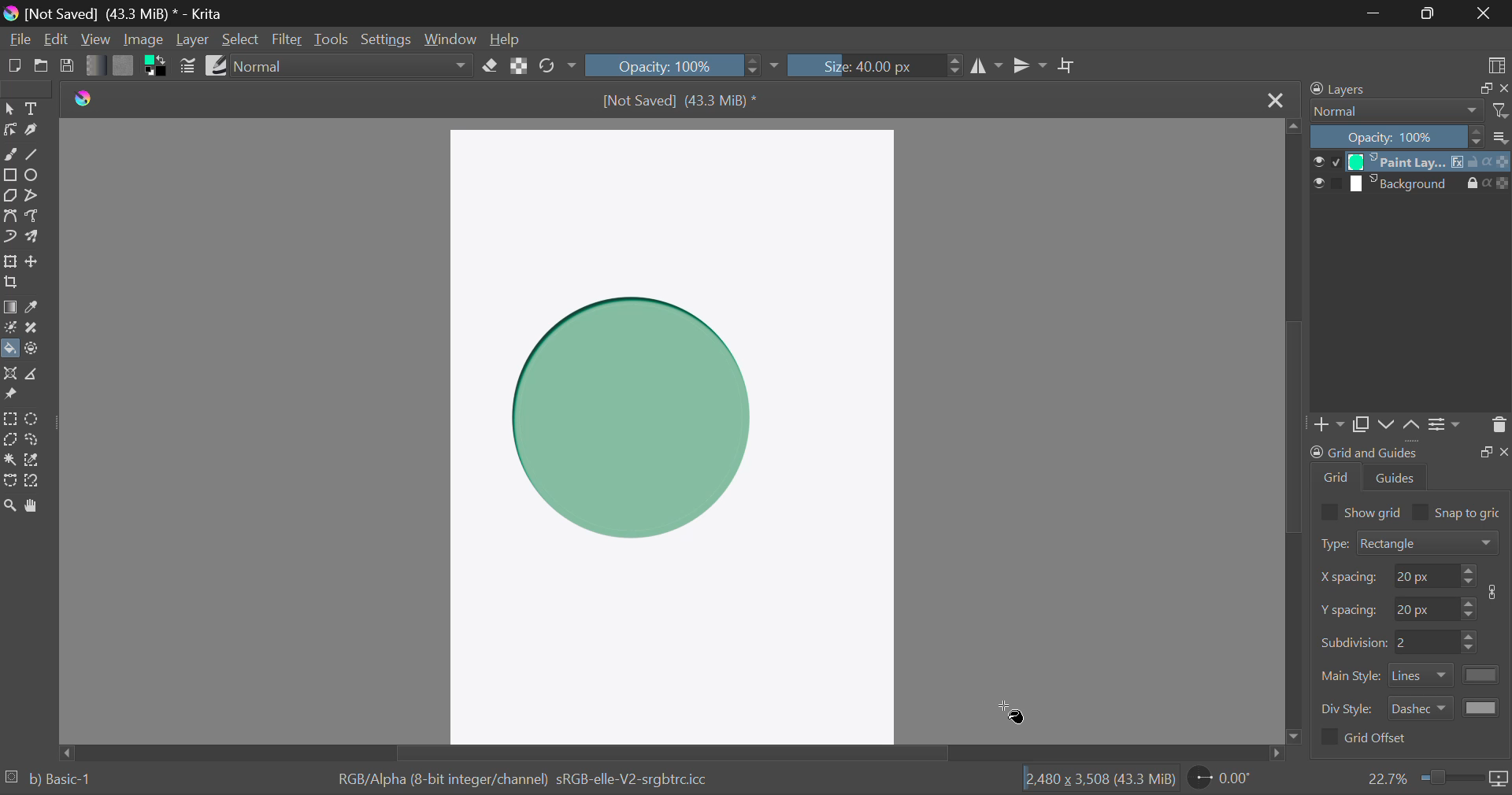 Image resolution: width=1512 pixels, height=795 pixels. Describe the element at coordinates (33, 194) in the screenshot. I see `Polyline` at that location.